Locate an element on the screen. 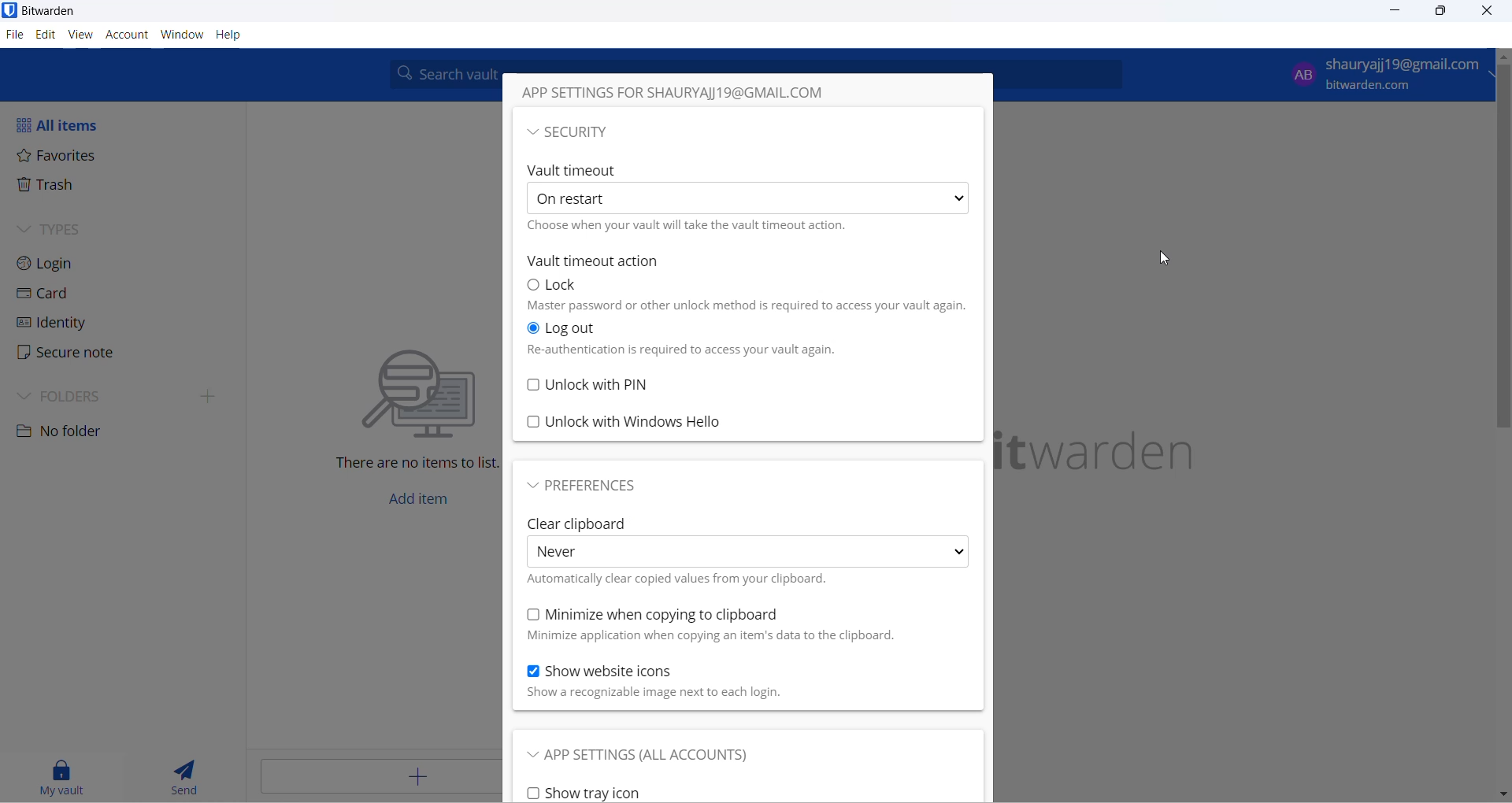 Image resolution: width=1512 pixels, height=803 pixels. account is located at coordinates (127, 35).